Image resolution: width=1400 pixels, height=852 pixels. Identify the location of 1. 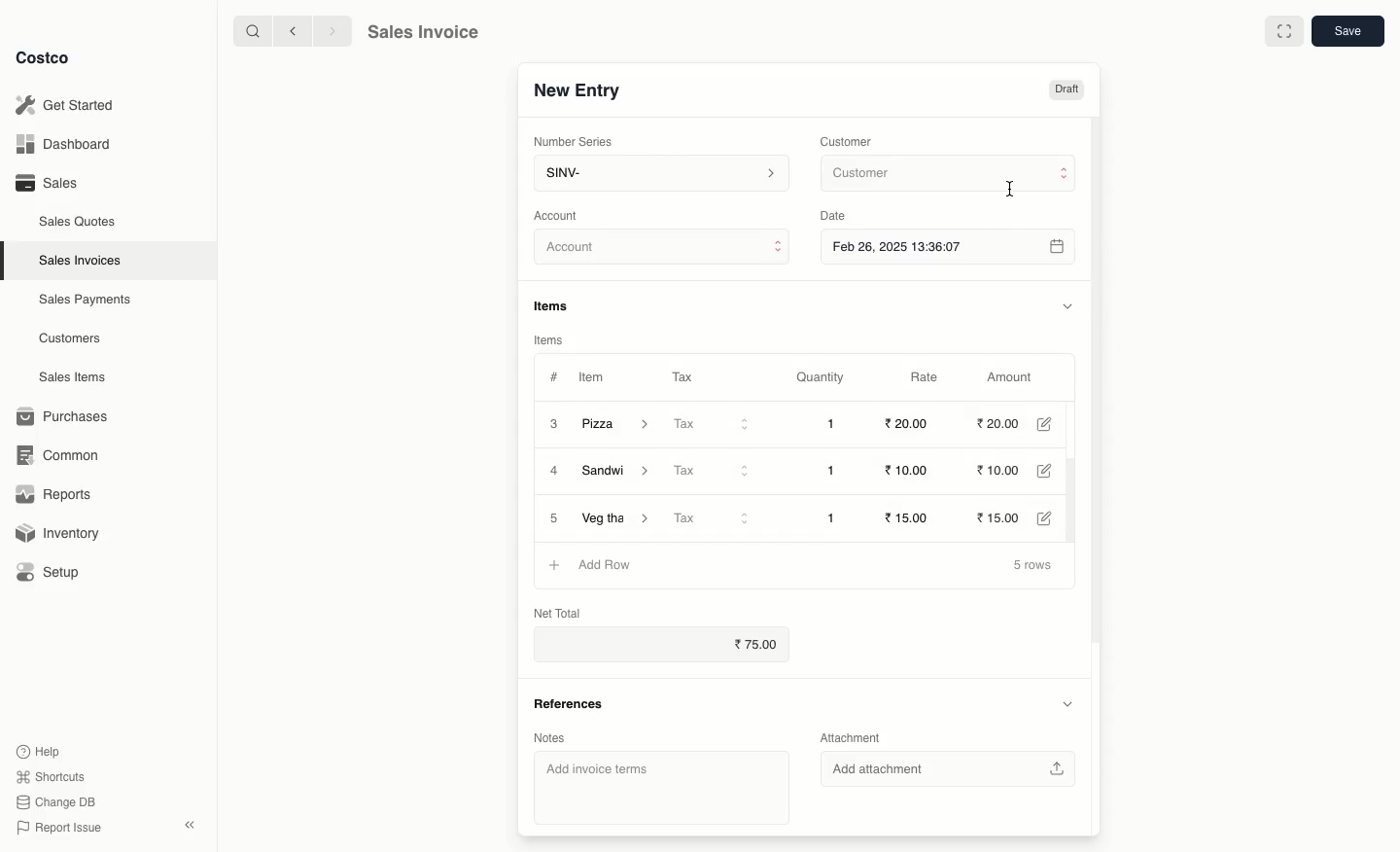
(836, 471).